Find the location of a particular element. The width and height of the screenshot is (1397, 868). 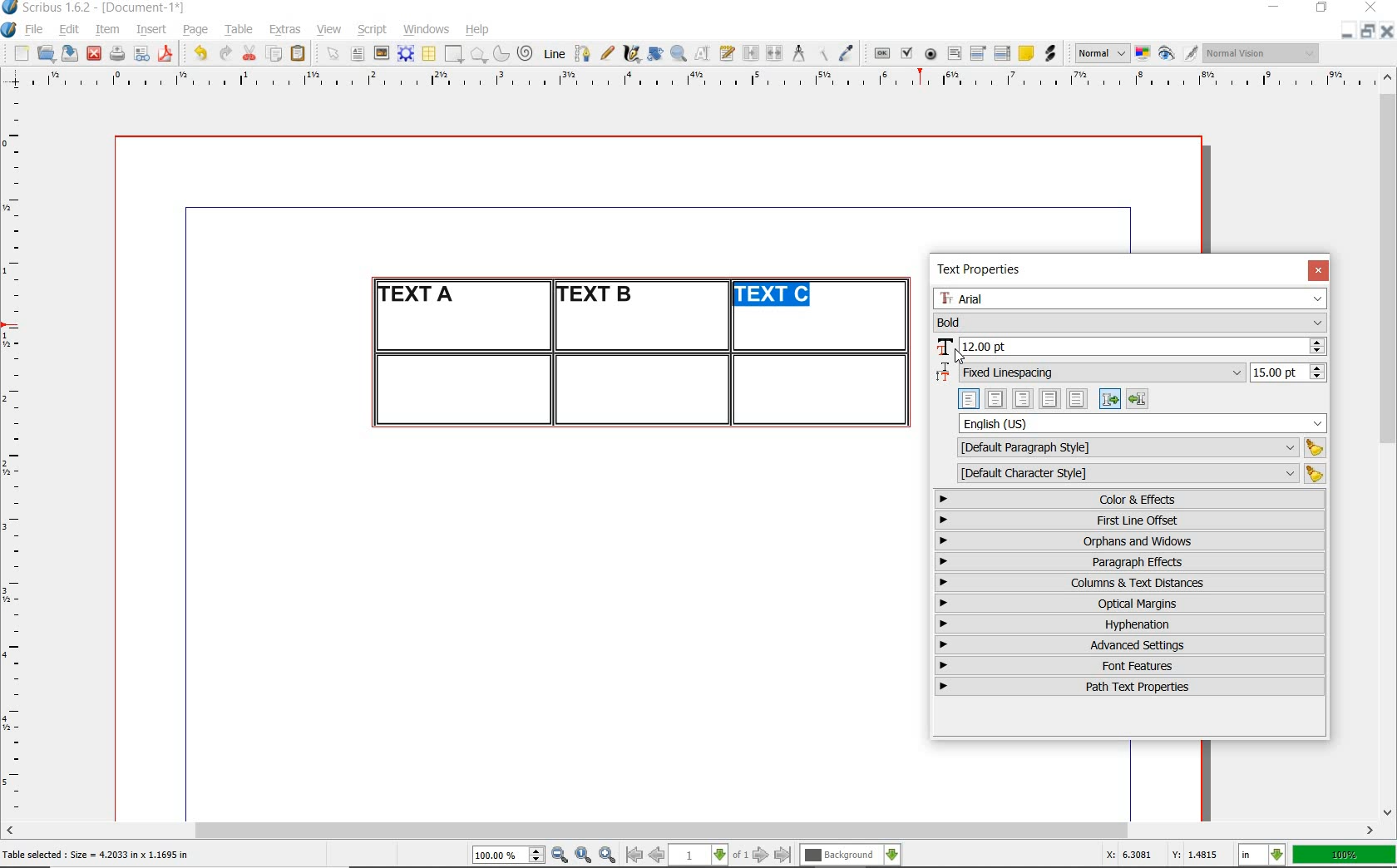

pdf push button is located at coordinates (882, 54).